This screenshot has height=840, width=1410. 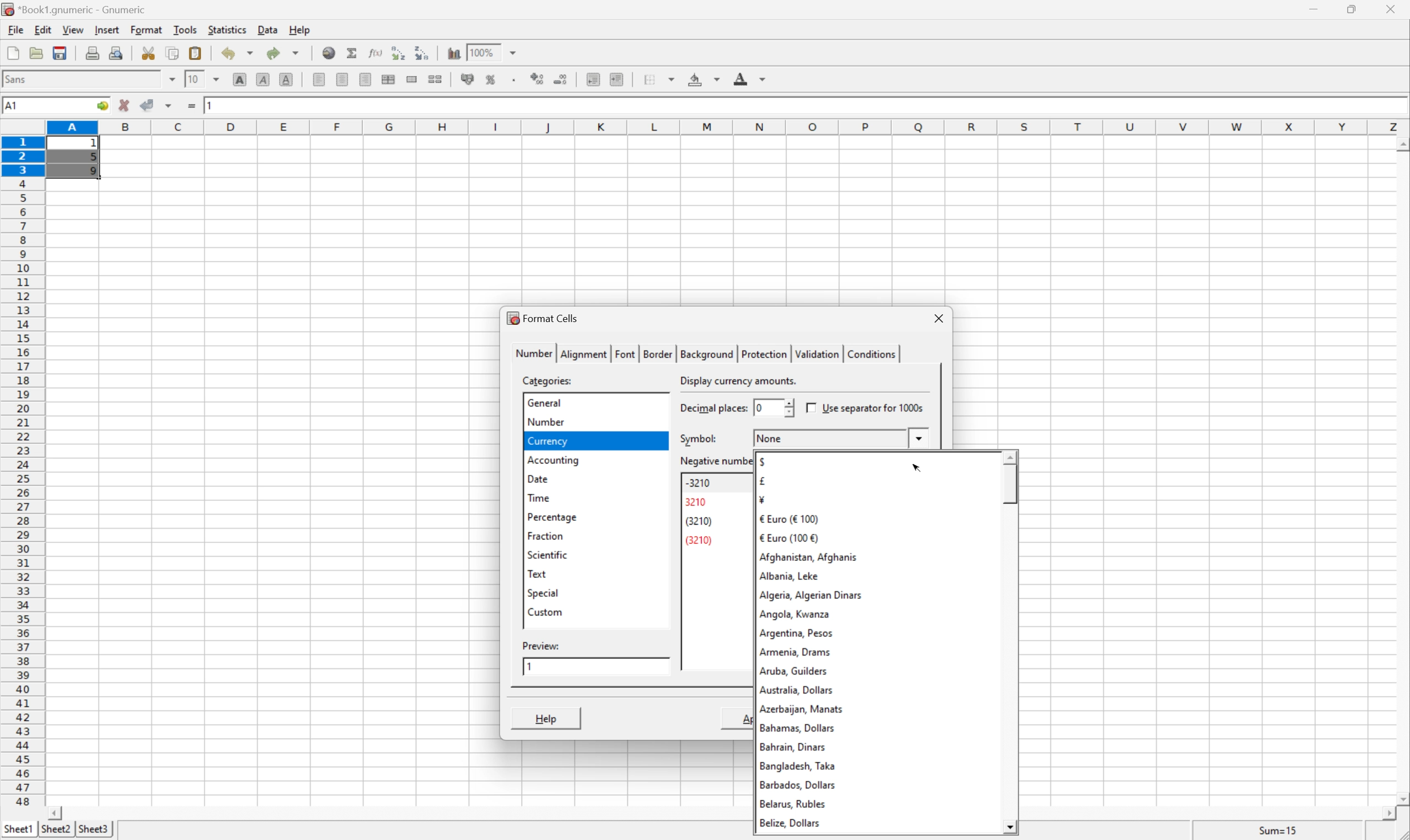 What do you see at coordinates (657, 79) in the screenshot?
I see `borders` at bounding box center [657, 79].